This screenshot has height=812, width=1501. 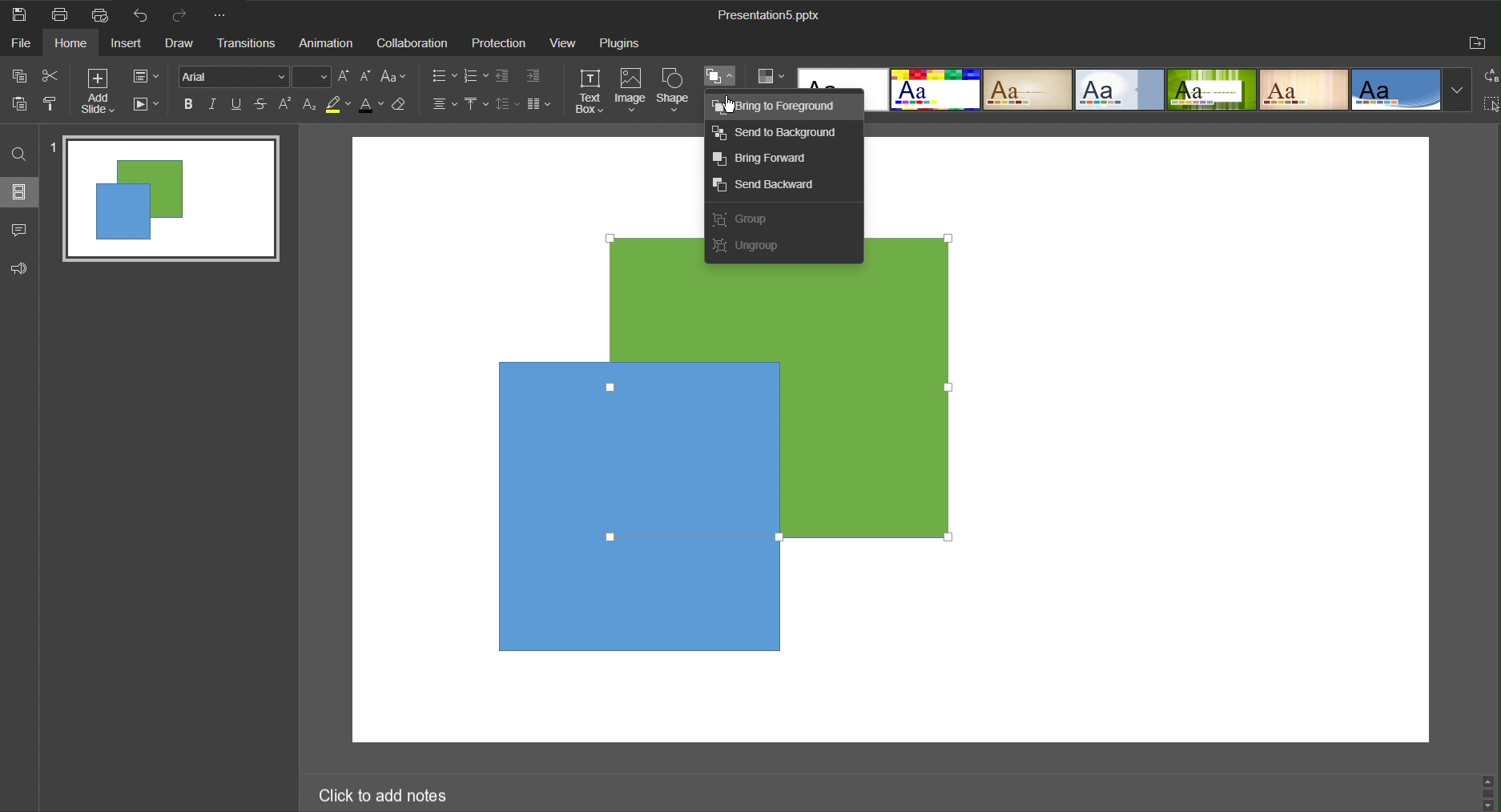 What do you see at coordinates (827, 275) in the screenshot?
I see `shape` at bounding box center [827, 275].